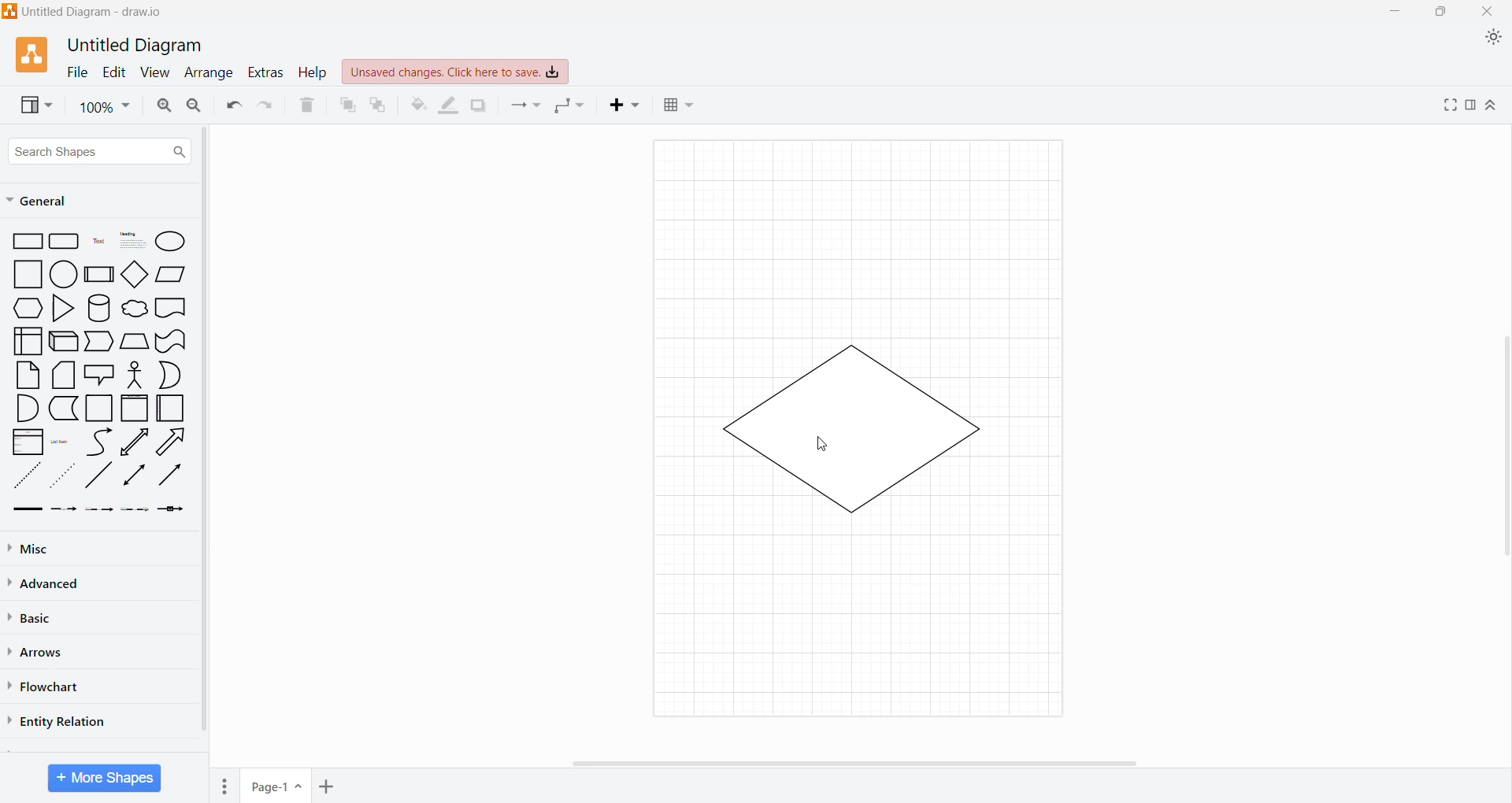 The width and height of the screenshot is (1512, 803). I want to click on Ellipse, so click(171, 241).